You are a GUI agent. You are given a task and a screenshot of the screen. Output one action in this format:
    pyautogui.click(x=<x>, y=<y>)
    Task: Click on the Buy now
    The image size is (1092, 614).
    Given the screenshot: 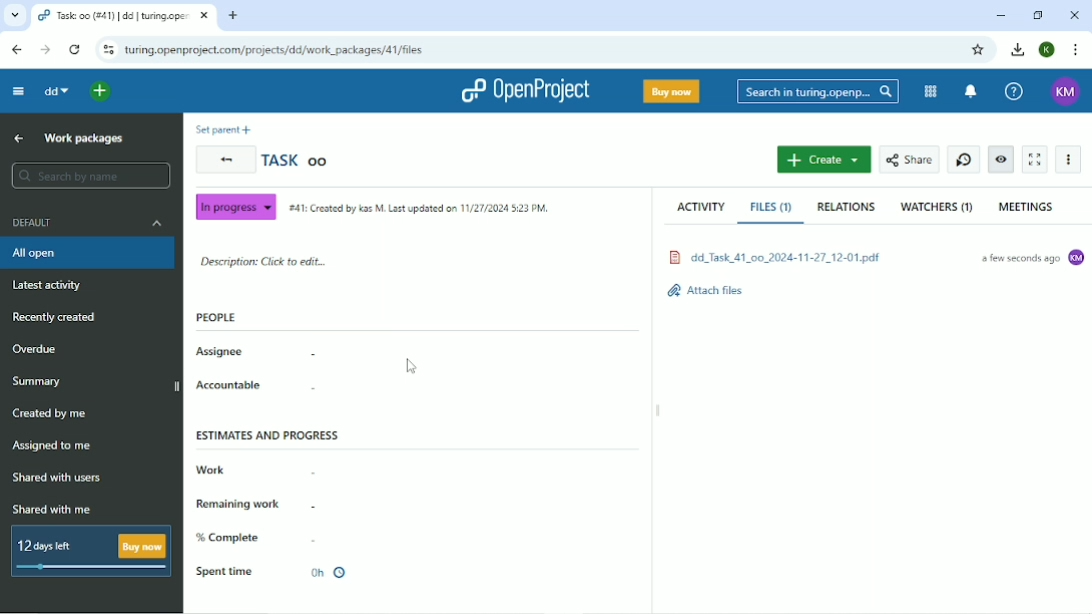 What is the action you would take?
    pyautogui.click(x=670, y=91)
    